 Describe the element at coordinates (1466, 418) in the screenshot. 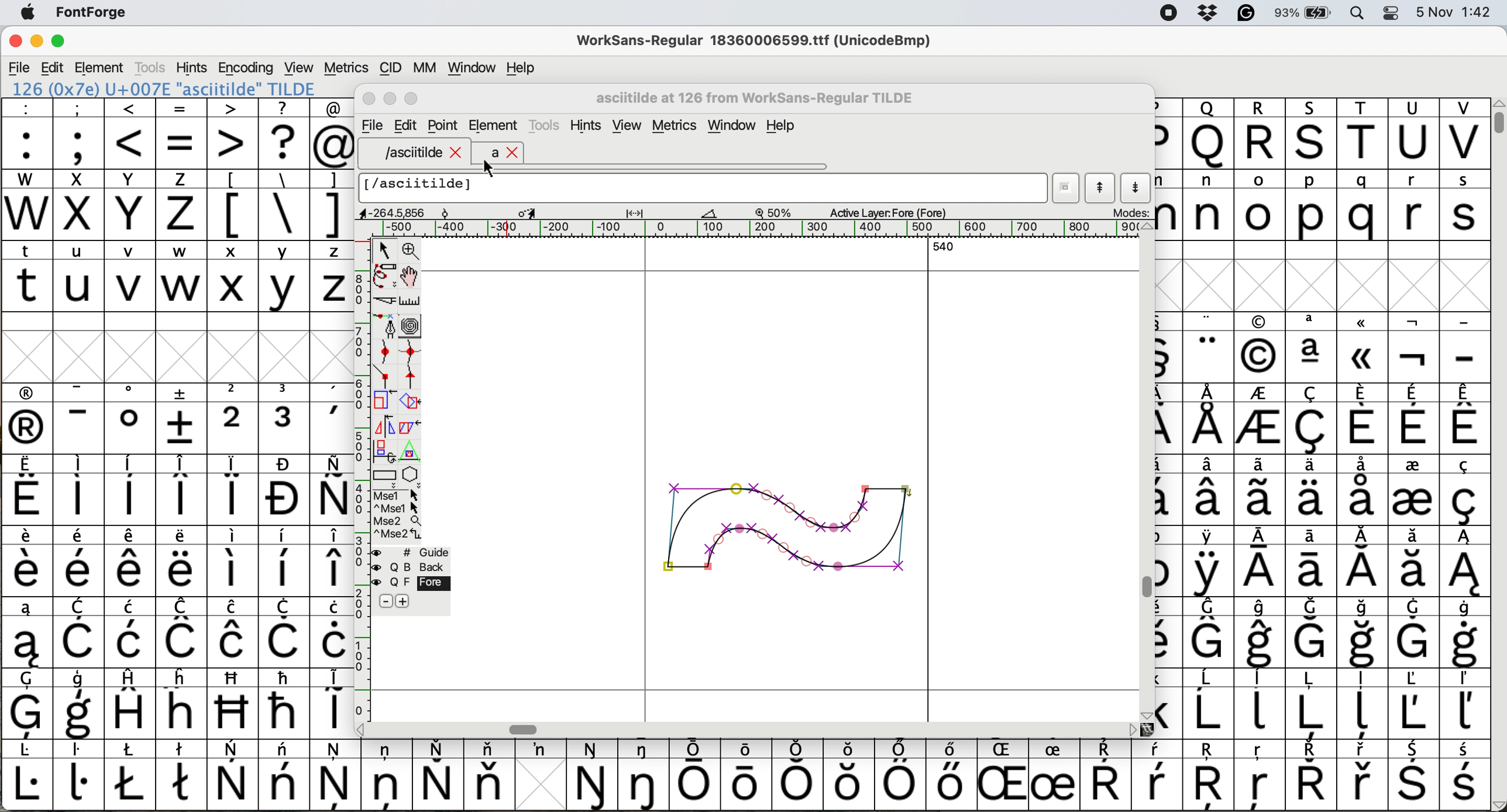

I see `symbol` at that location.